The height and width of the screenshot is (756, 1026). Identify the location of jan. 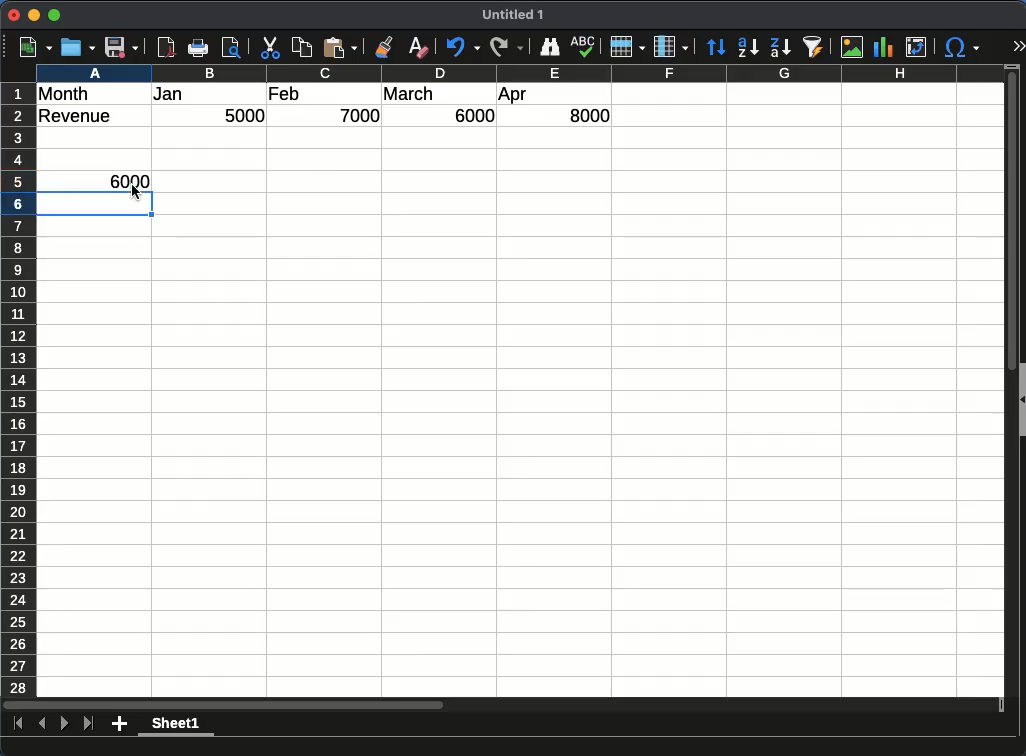
(169, 94).